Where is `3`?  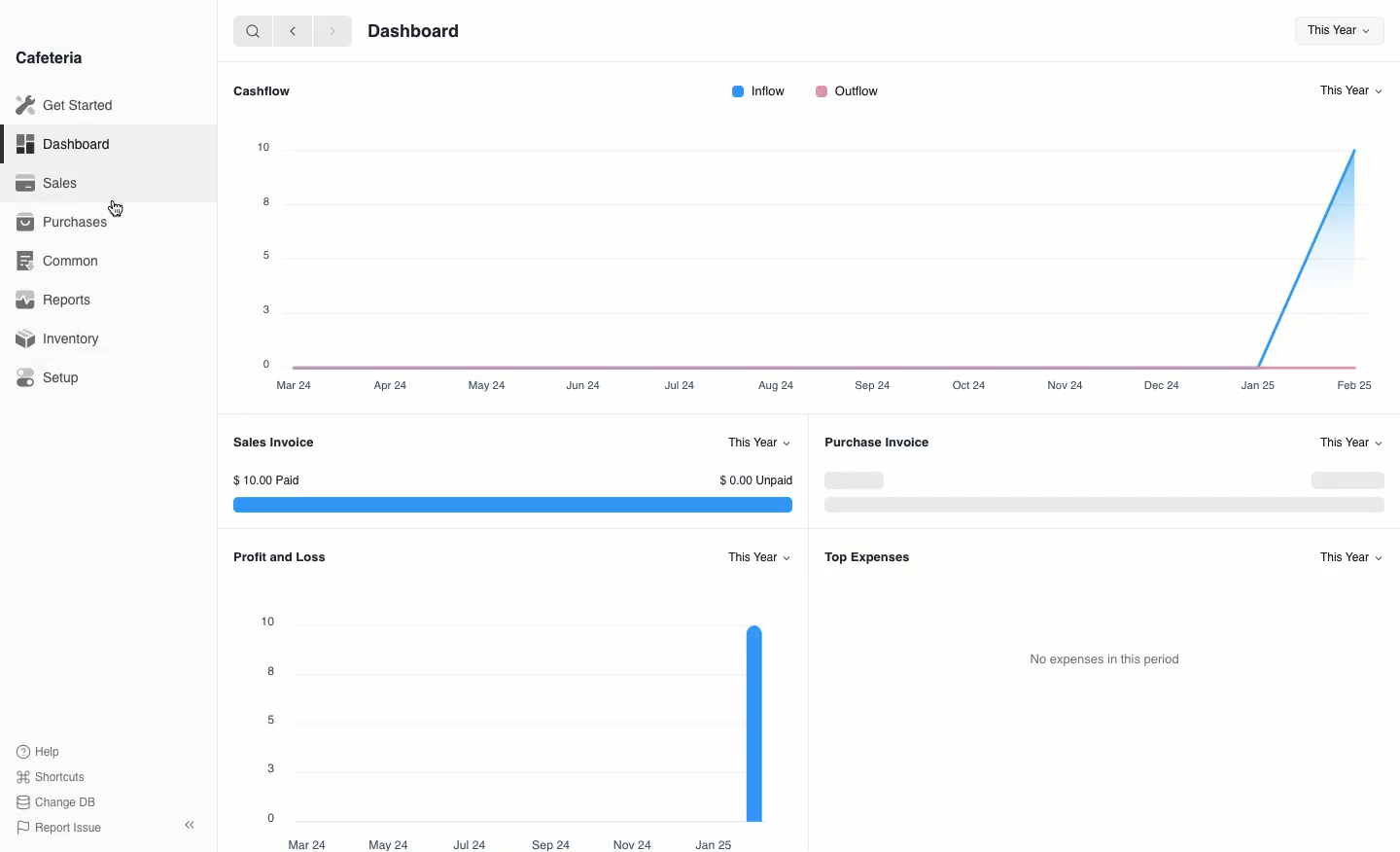
3 is located at coordinates (272, 767).